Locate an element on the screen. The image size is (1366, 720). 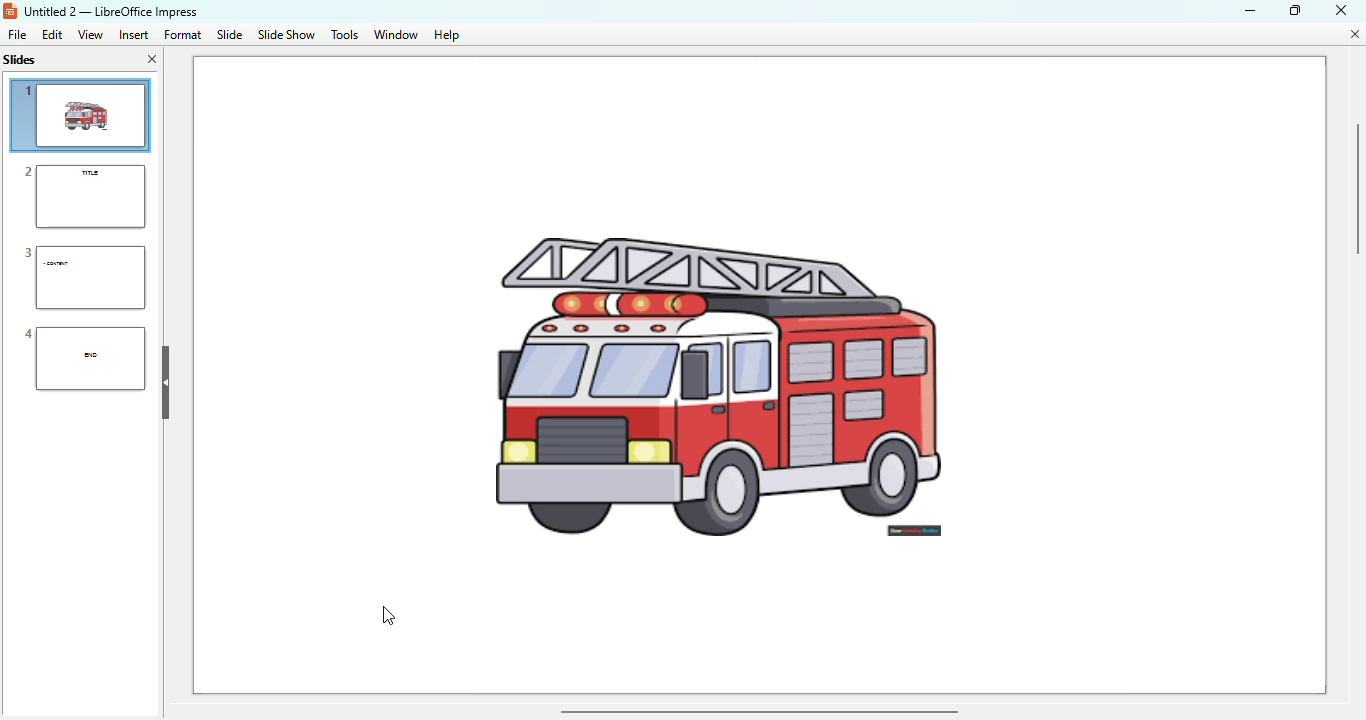
close document is located at coordinates (1354, 34).